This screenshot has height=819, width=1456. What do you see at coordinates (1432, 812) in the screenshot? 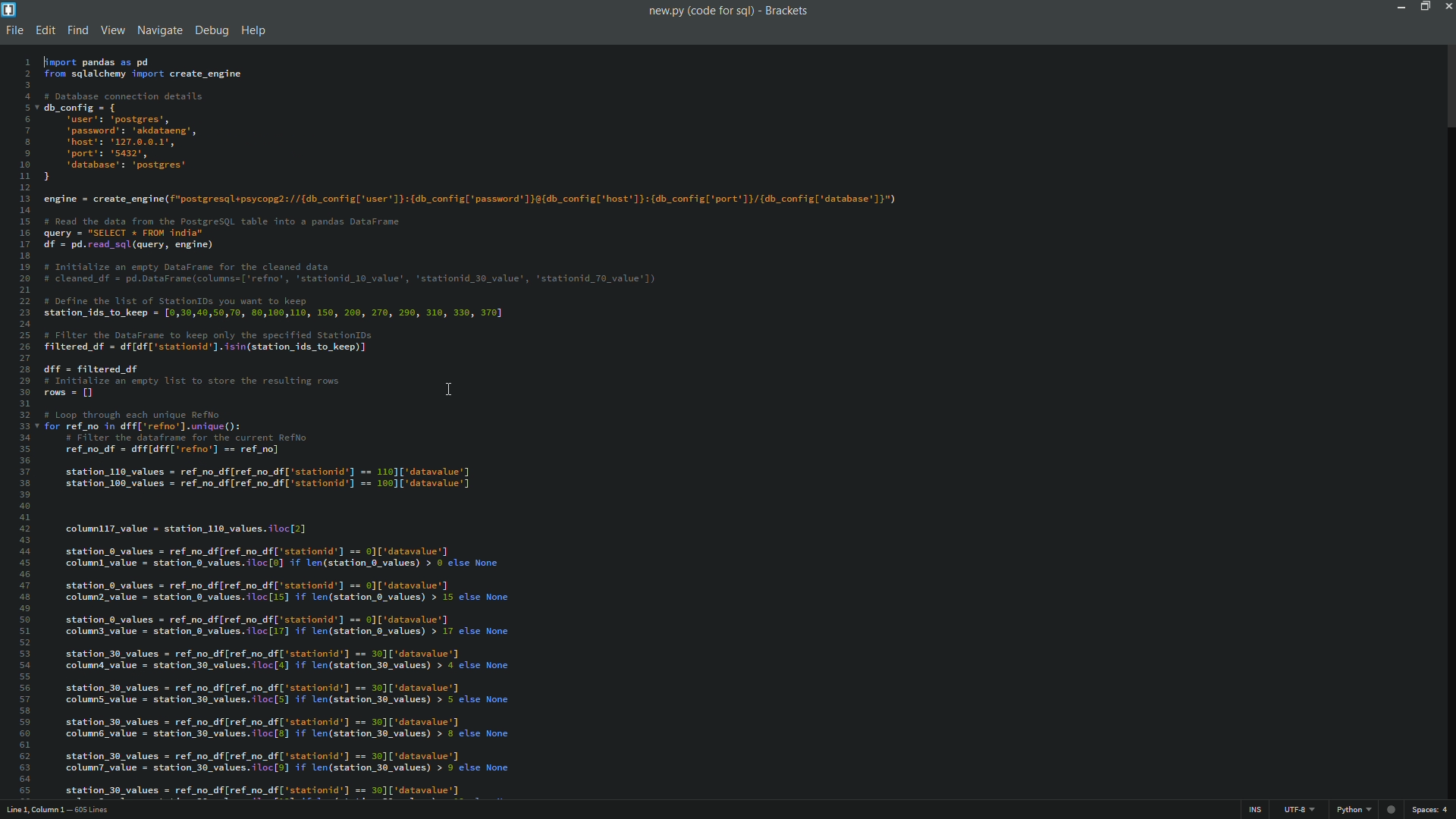
I see `spaces` at bounding box center [1432, 812].